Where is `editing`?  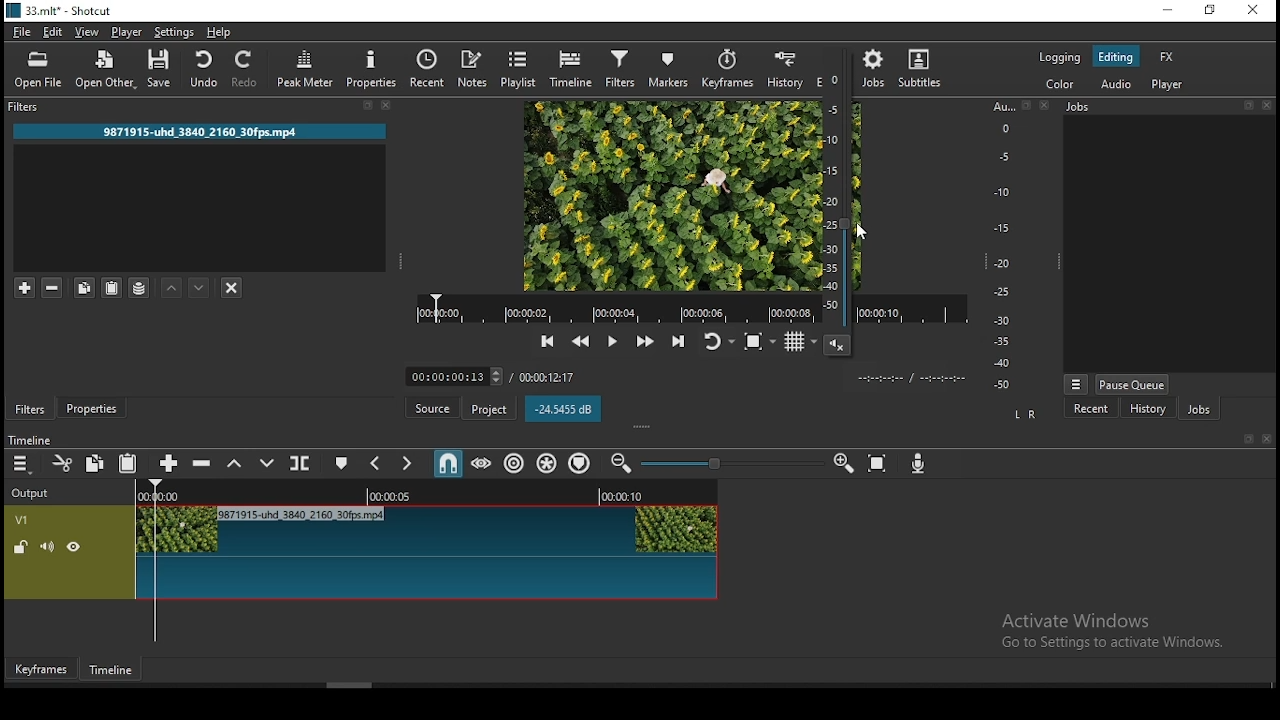 editing is located at coordinates (1117, 57).